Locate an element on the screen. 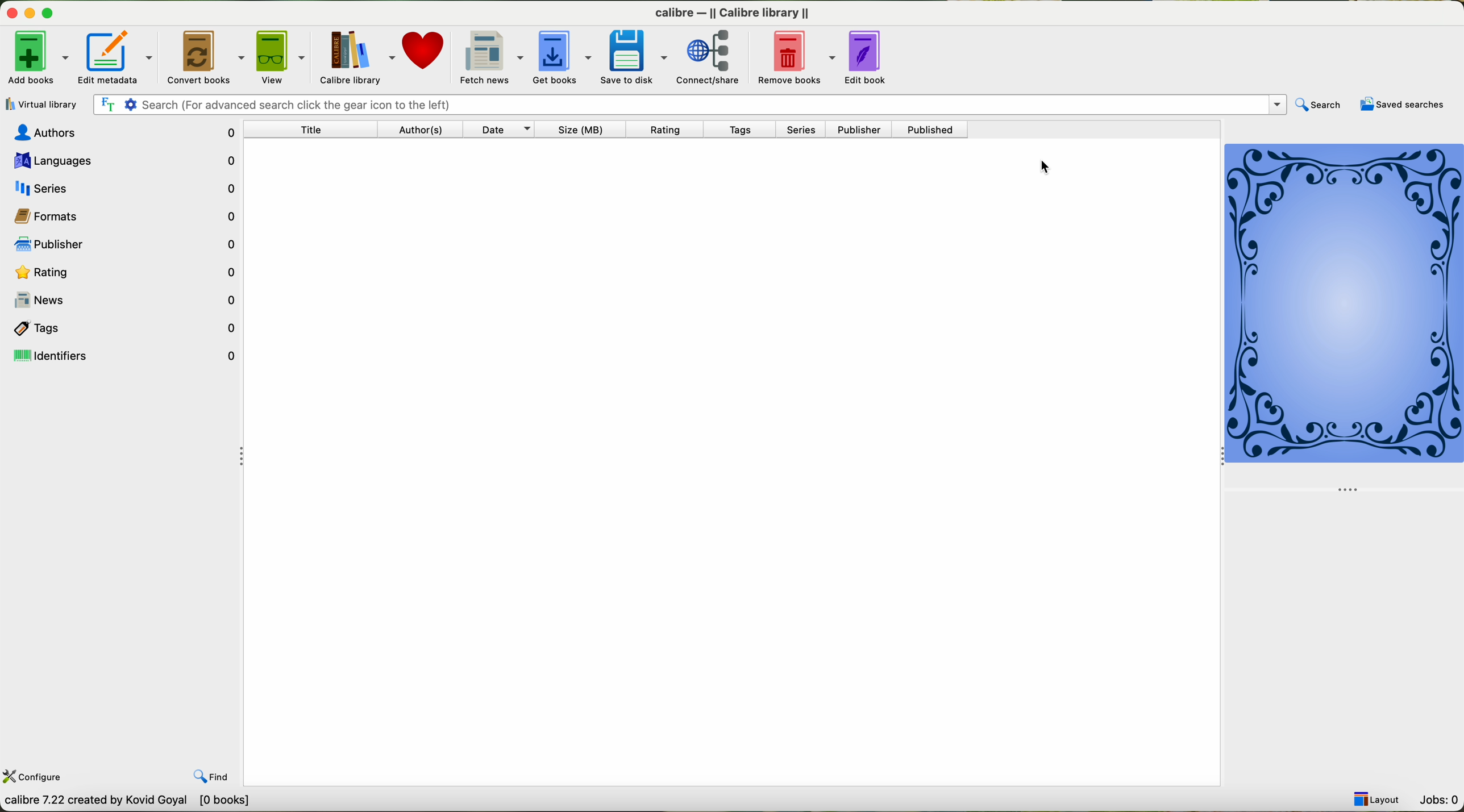 The height and width of the screenshot is (812, 1464). rating is located at coordinates (676, 129).